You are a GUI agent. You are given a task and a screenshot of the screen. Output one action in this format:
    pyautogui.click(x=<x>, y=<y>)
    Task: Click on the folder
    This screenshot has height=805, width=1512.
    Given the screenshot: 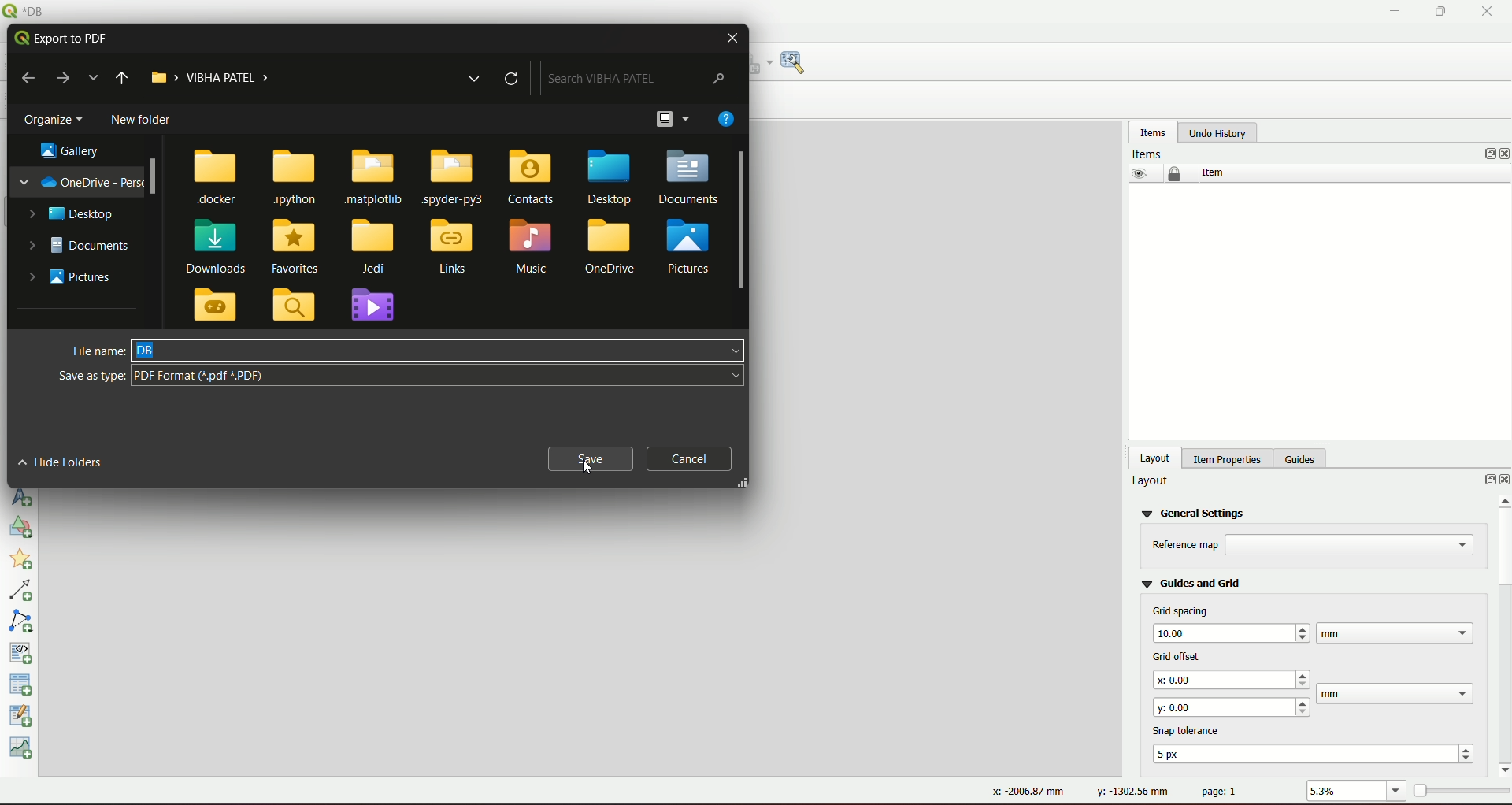 What is the action you would take?
    pyautogui.click(x=293, y=305)
    